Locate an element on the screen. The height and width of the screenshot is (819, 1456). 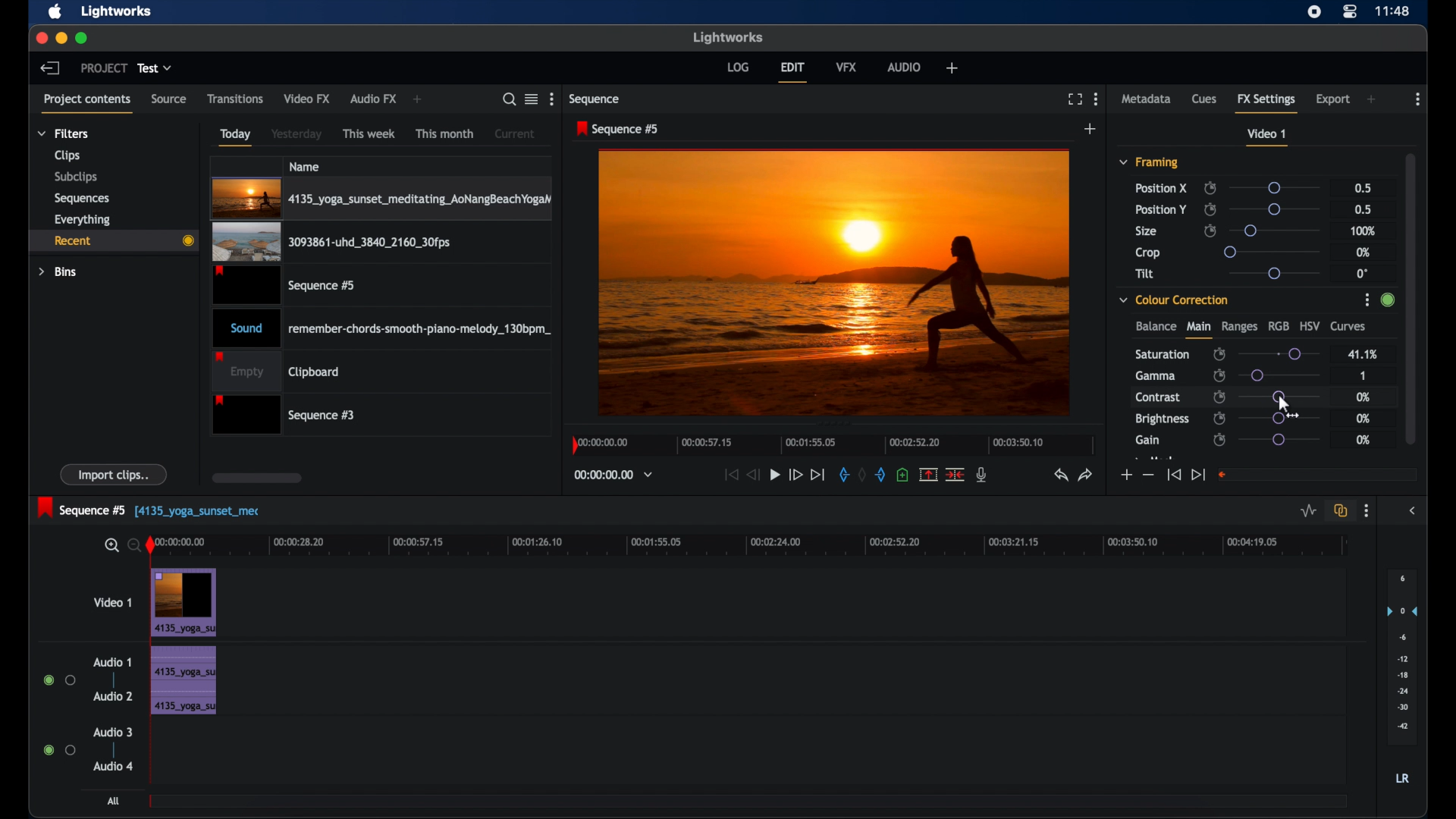
empty is located at coordinates (276, 371).